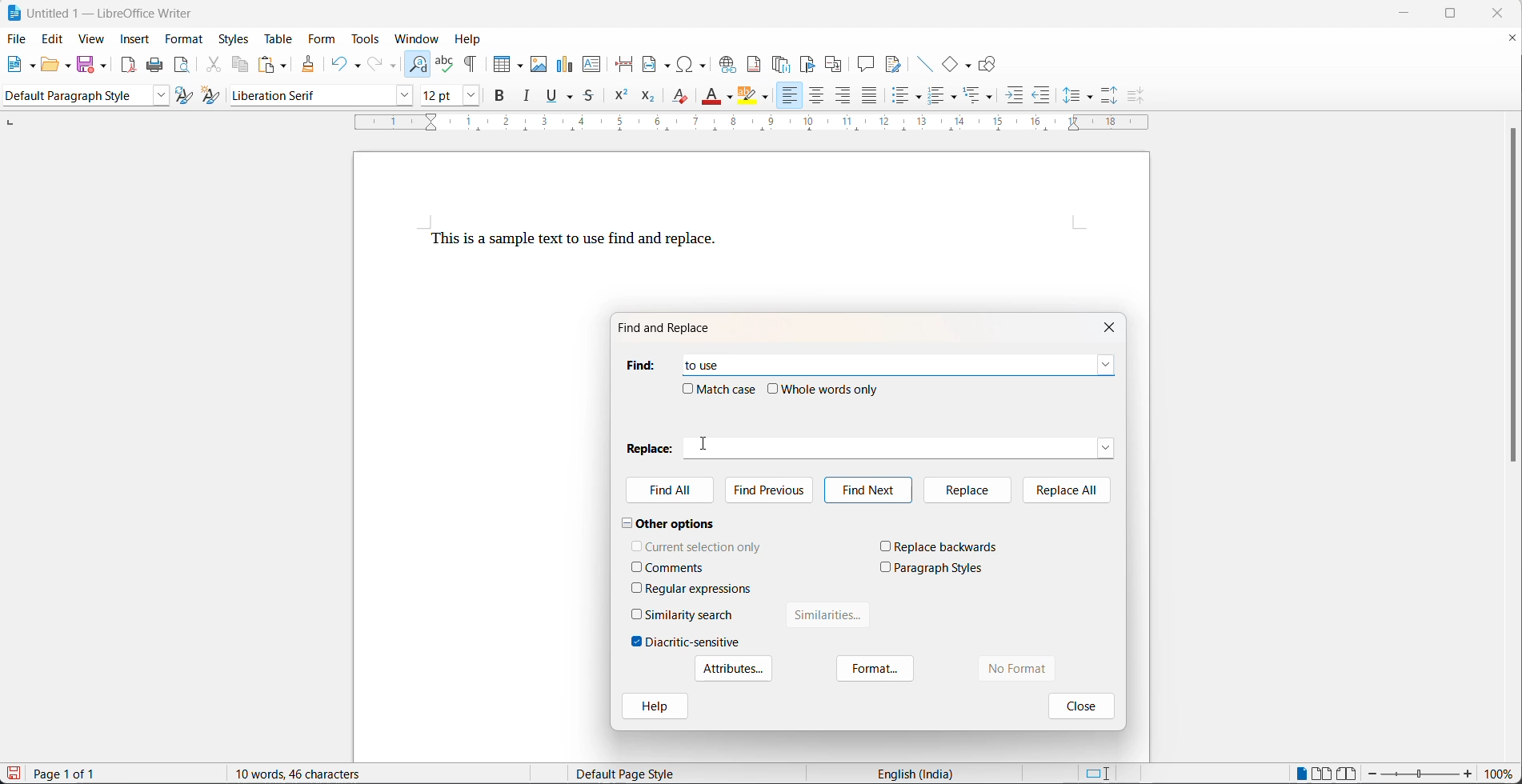 This screenshot has height=784, width=1522. Describe the element at coordinates (310, 65) in the screenshot. I see `clone formatting` at that location.